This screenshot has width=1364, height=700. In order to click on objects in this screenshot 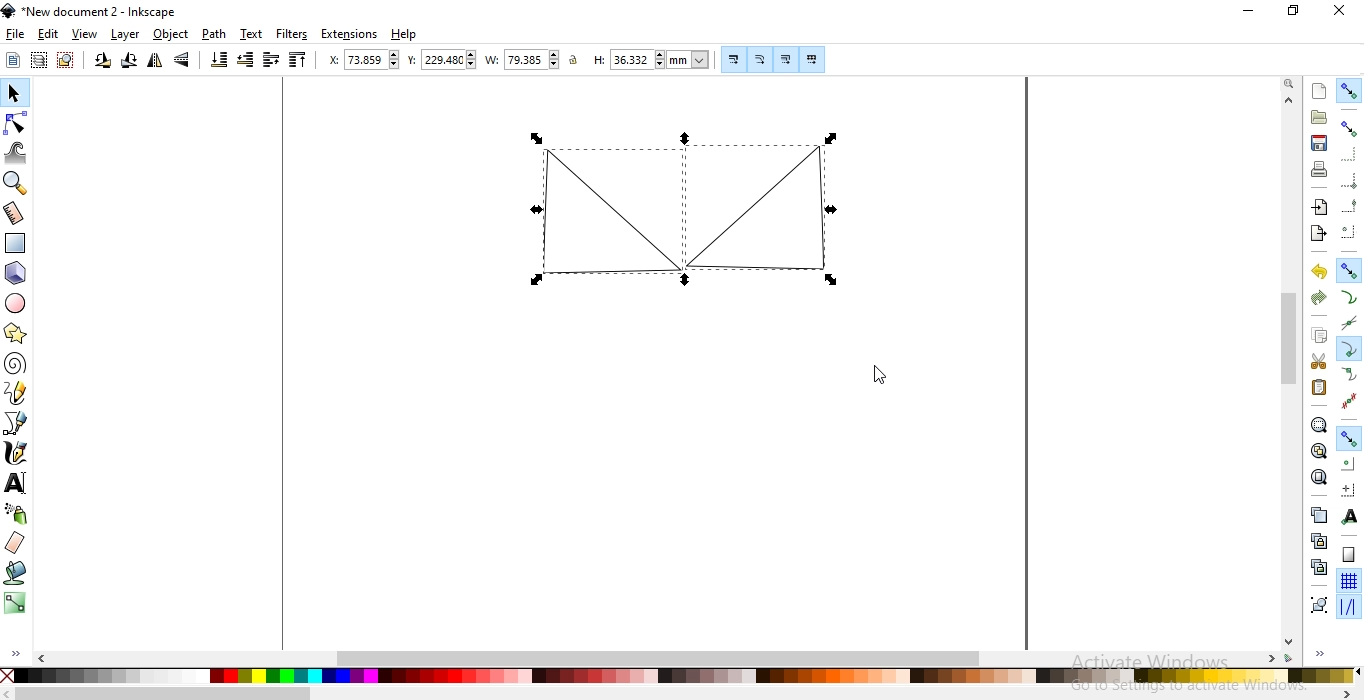, I will do `click(173, 34)`.